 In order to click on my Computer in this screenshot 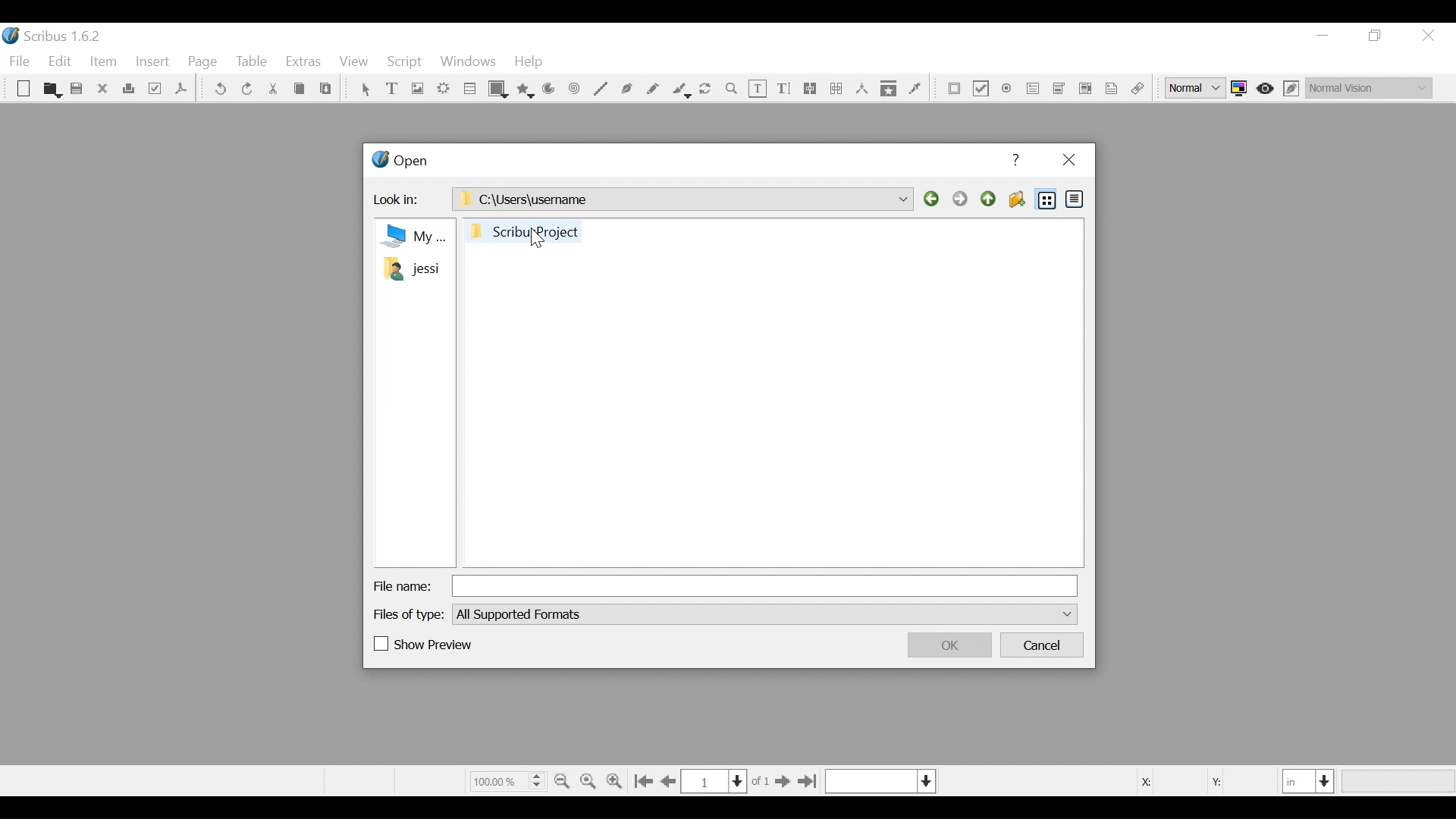, I will do `click(412, 235)`.